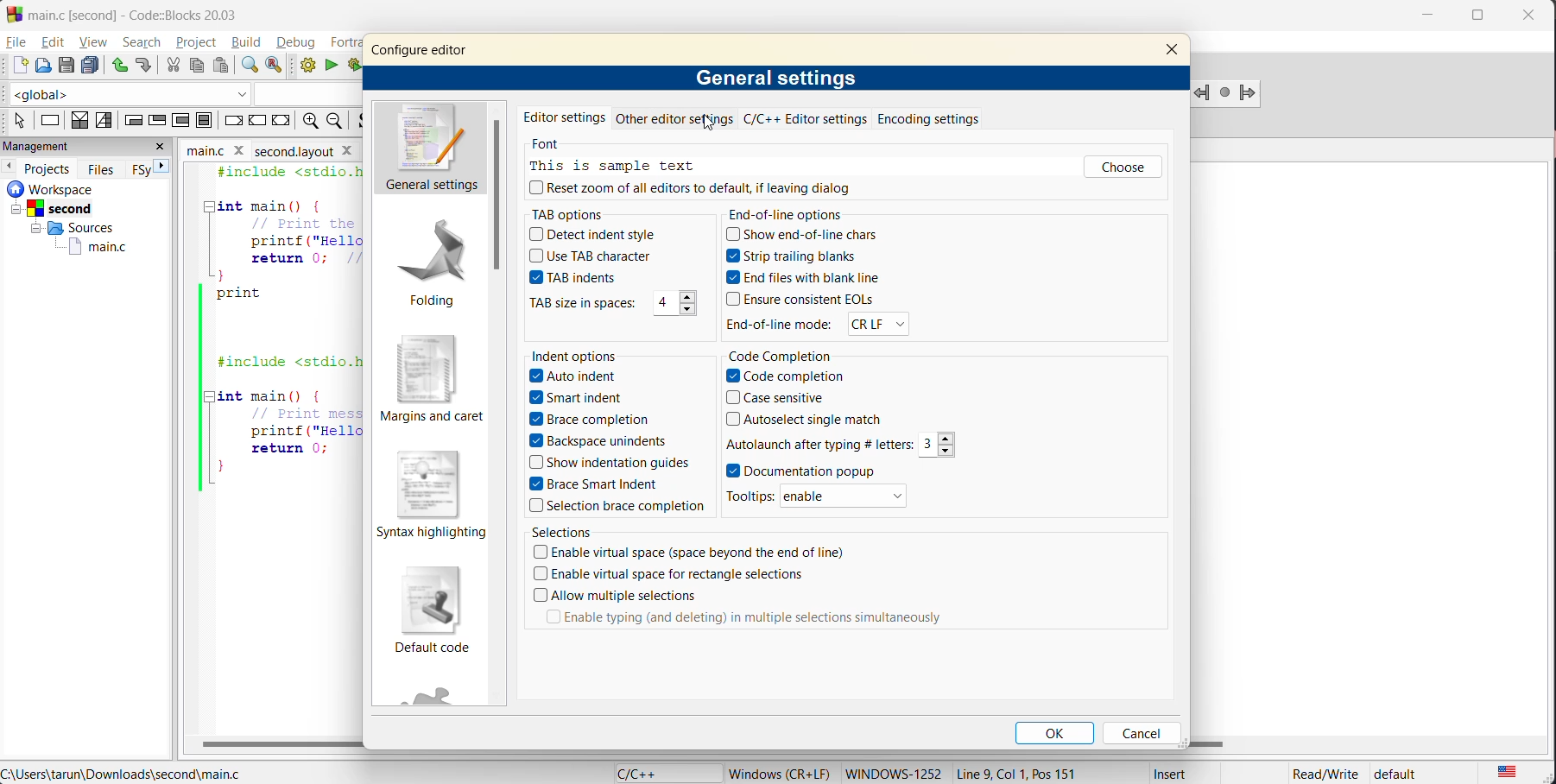 Image resolution: width=1556 pixels, height=784 pixels. I want to click on jump backword, so click(1202, 93).